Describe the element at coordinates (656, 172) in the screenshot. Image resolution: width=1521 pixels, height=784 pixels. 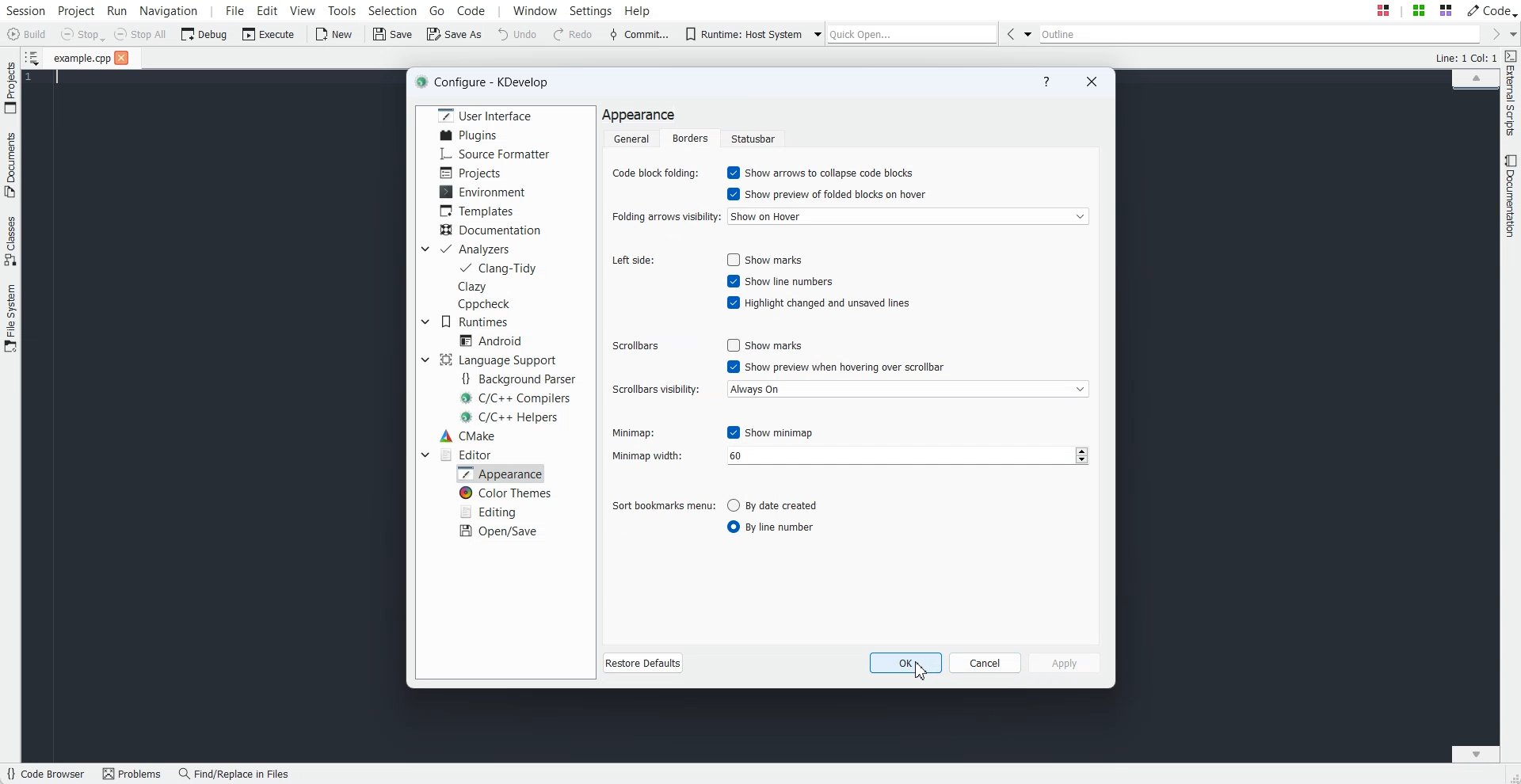
I see `Code Block folding` at that location.